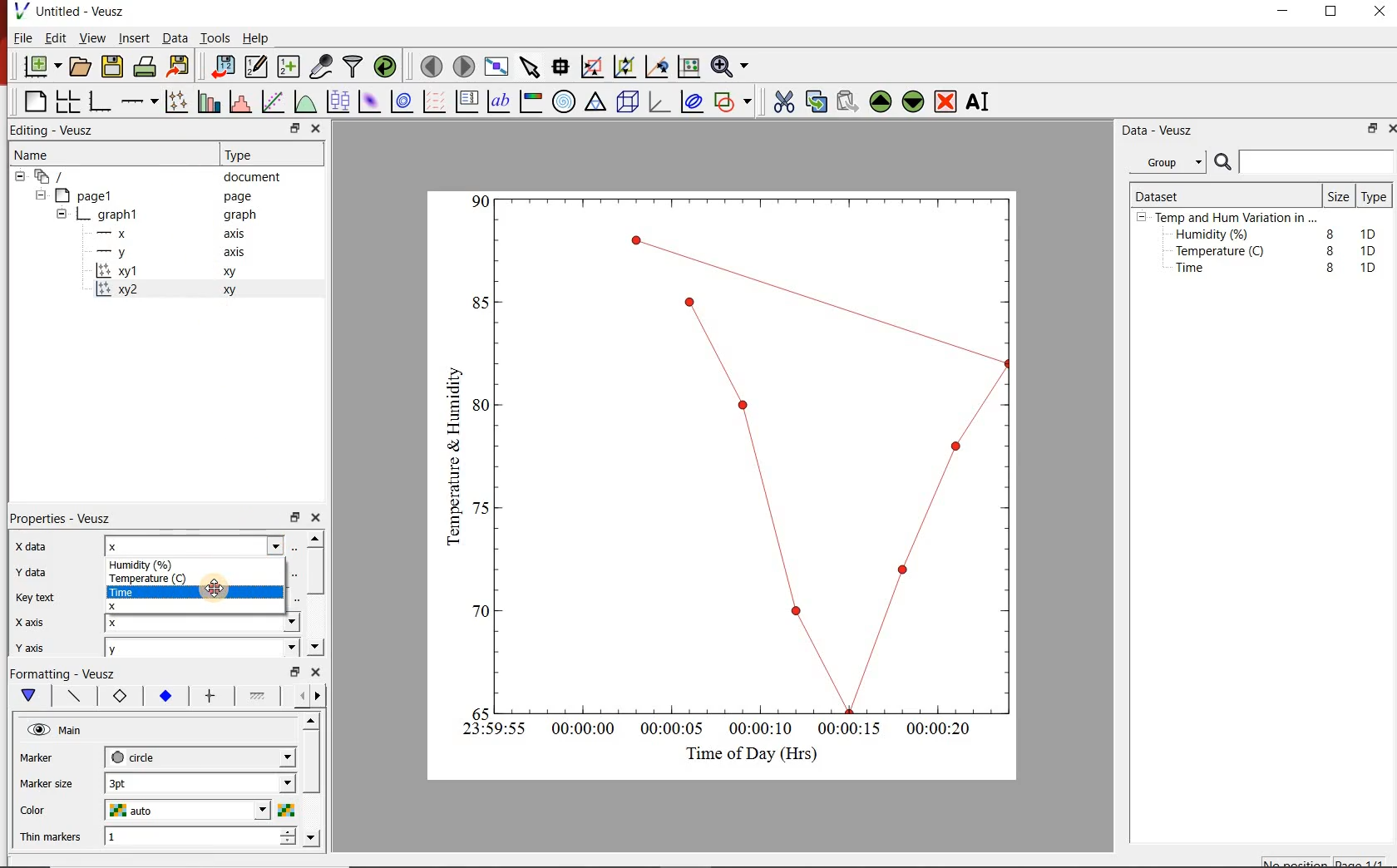 Image resolution: width=1397 pixels, height=868 pixels. Describe the element at coordinates (667, 732) in the screenshot. I see `00:00:05` at that location.